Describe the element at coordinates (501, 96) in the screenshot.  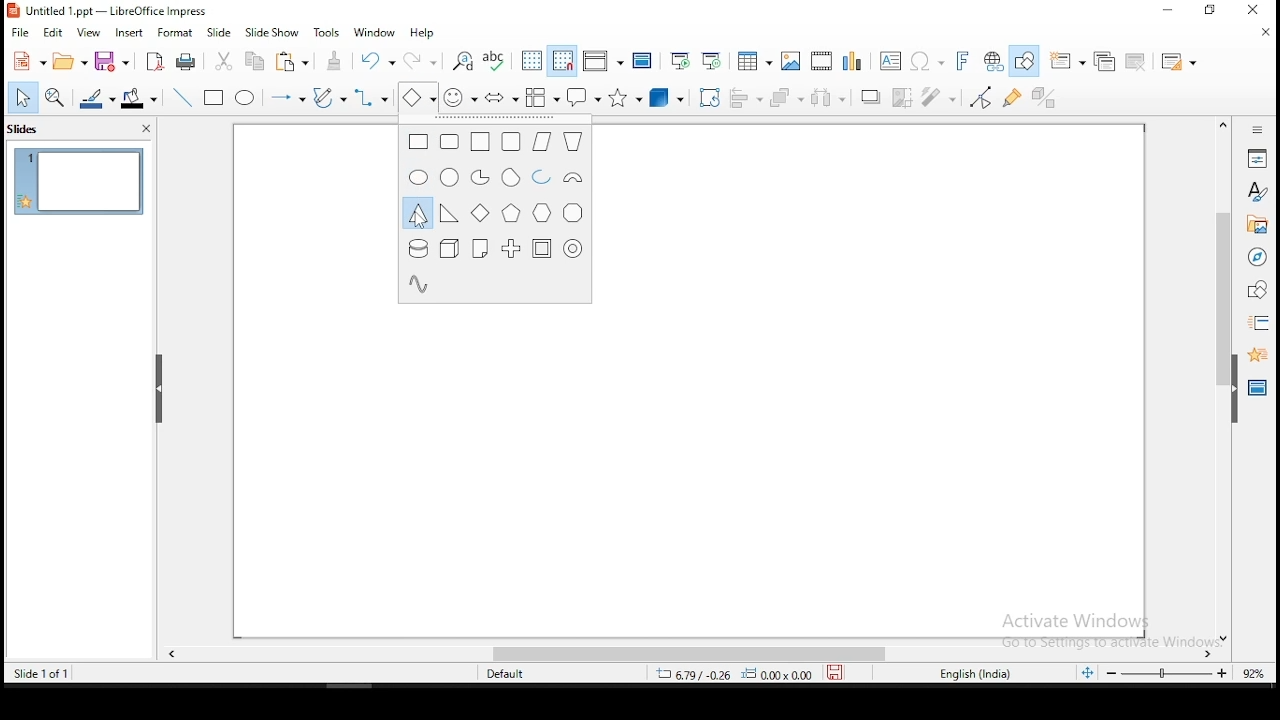
I see `block arrows` at that location.